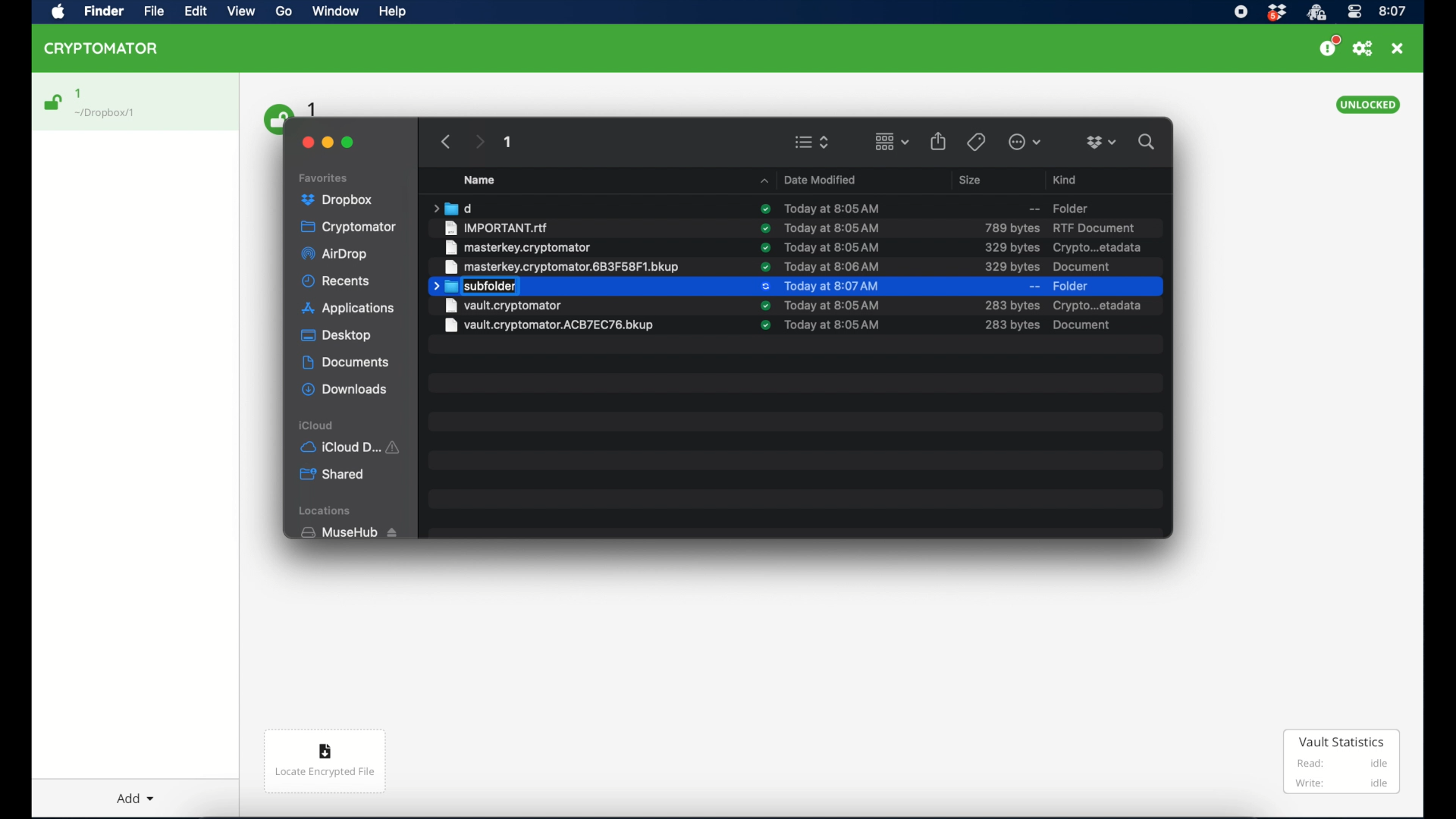 The height and width of the screenshot is (819, 1456). I want to click on applications, so click(349, 309).